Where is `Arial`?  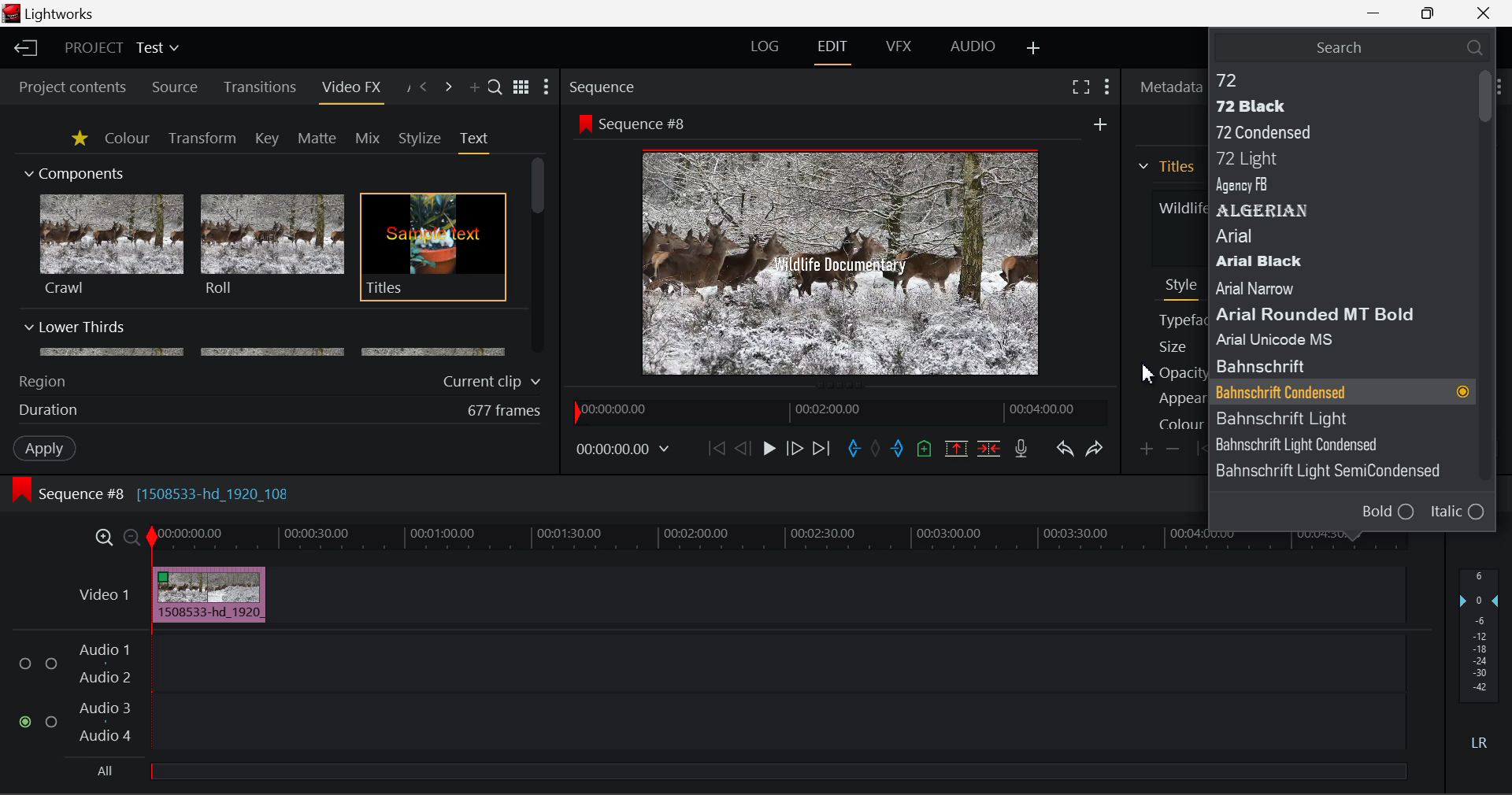 Arial is located at coordinates (1343, 238).